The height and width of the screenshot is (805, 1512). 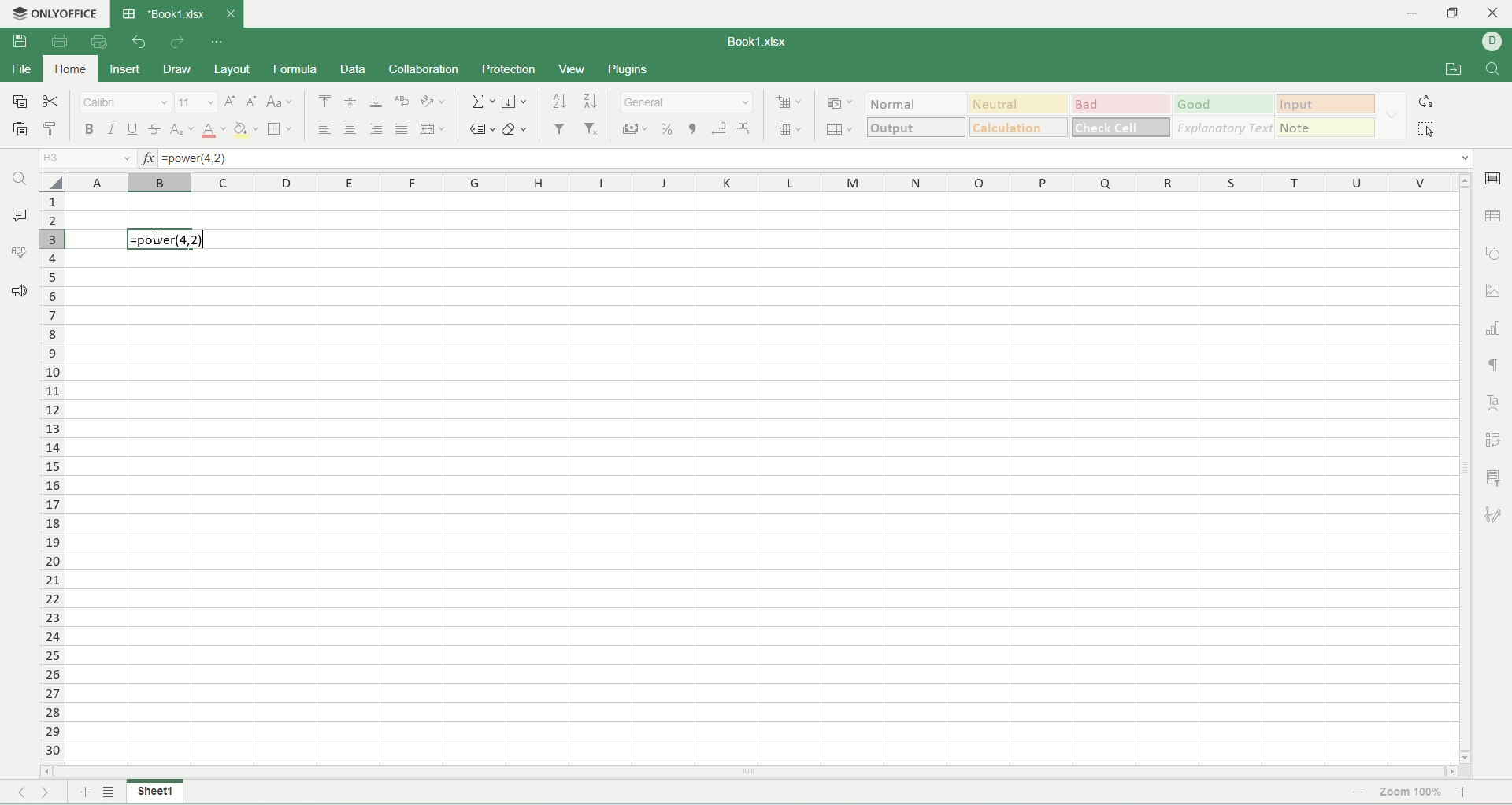 I want to click on chart setting, so click(x=1495, y=325).